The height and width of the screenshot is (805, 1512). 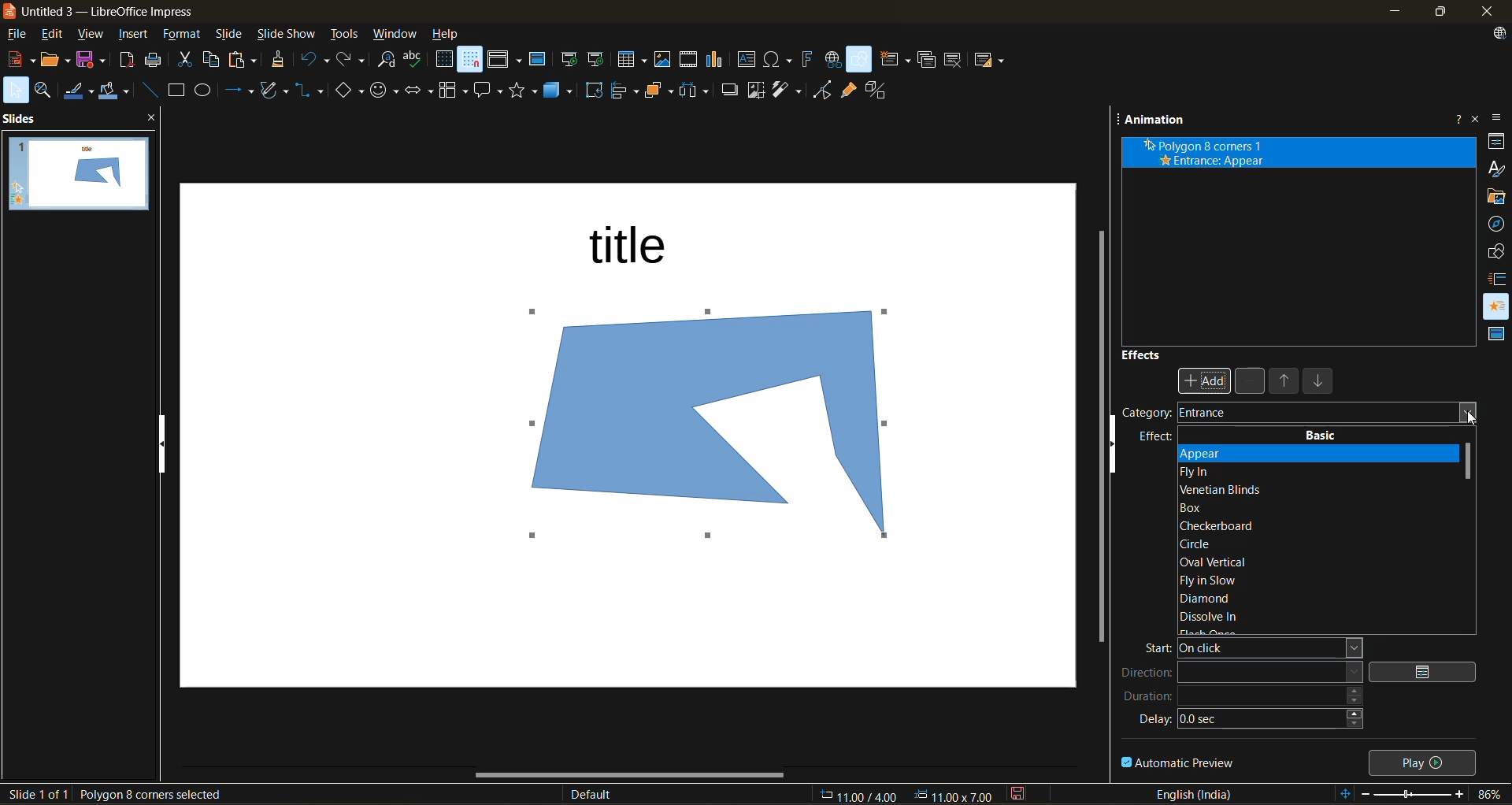 I want to click on zoom and pan, so click(x=50, y=90).